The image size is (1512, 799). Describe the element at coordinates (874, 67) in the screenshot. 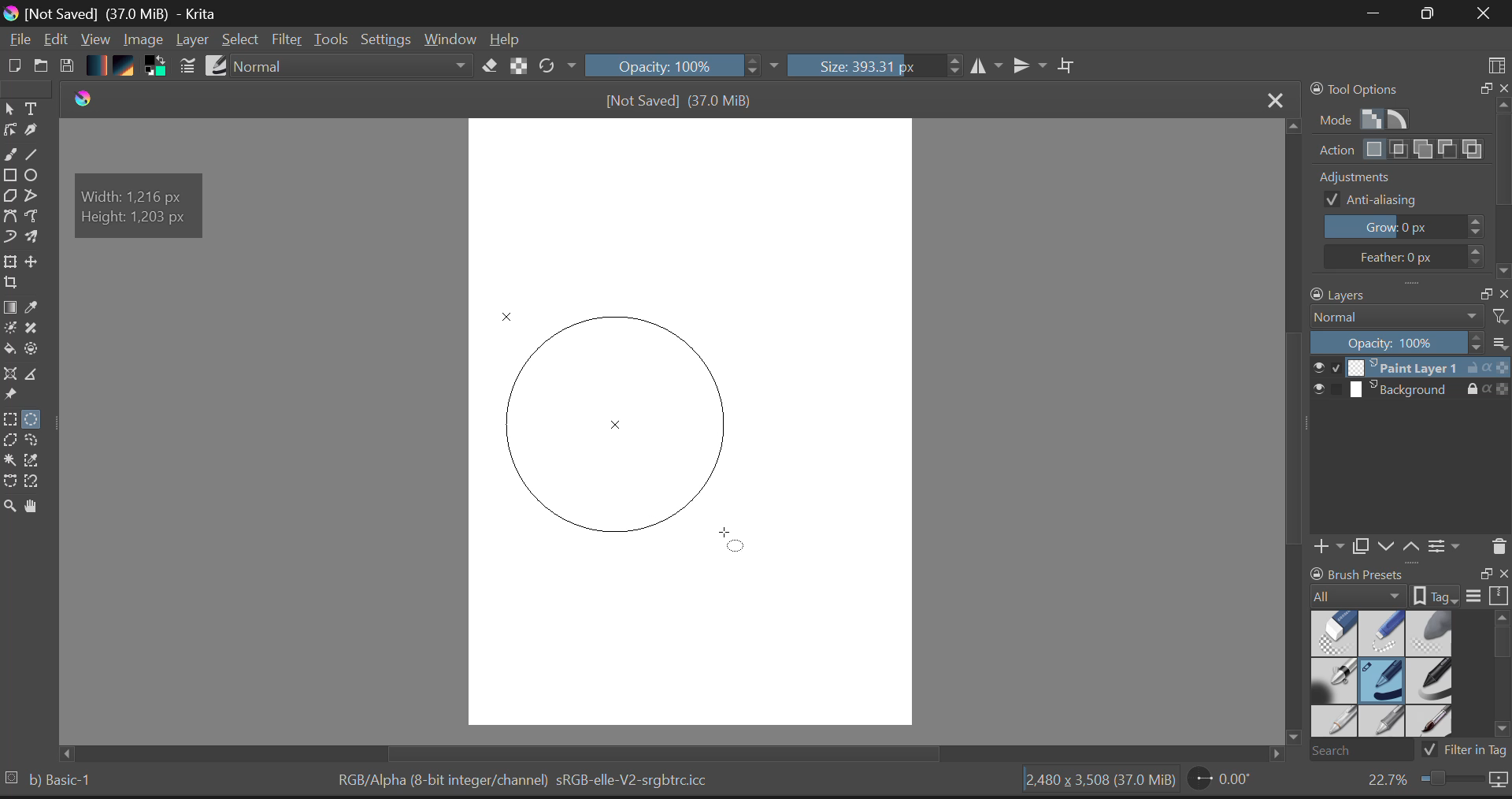

I see `Brush Size` at that location.